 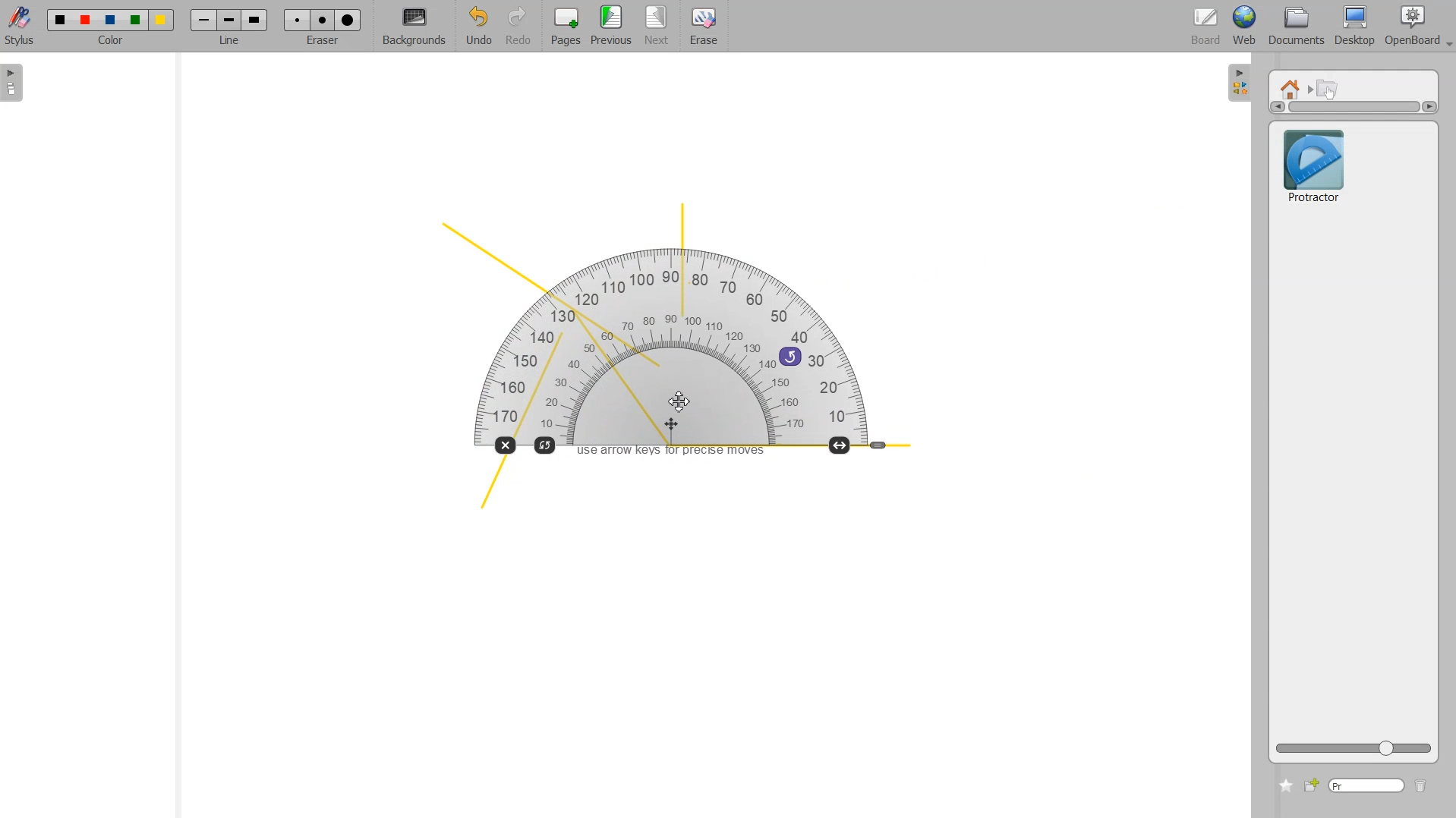 What do you see at coordinates (879, 446) in the screenshot?
I see `Angle Scale` at bounding box center [879, 446].